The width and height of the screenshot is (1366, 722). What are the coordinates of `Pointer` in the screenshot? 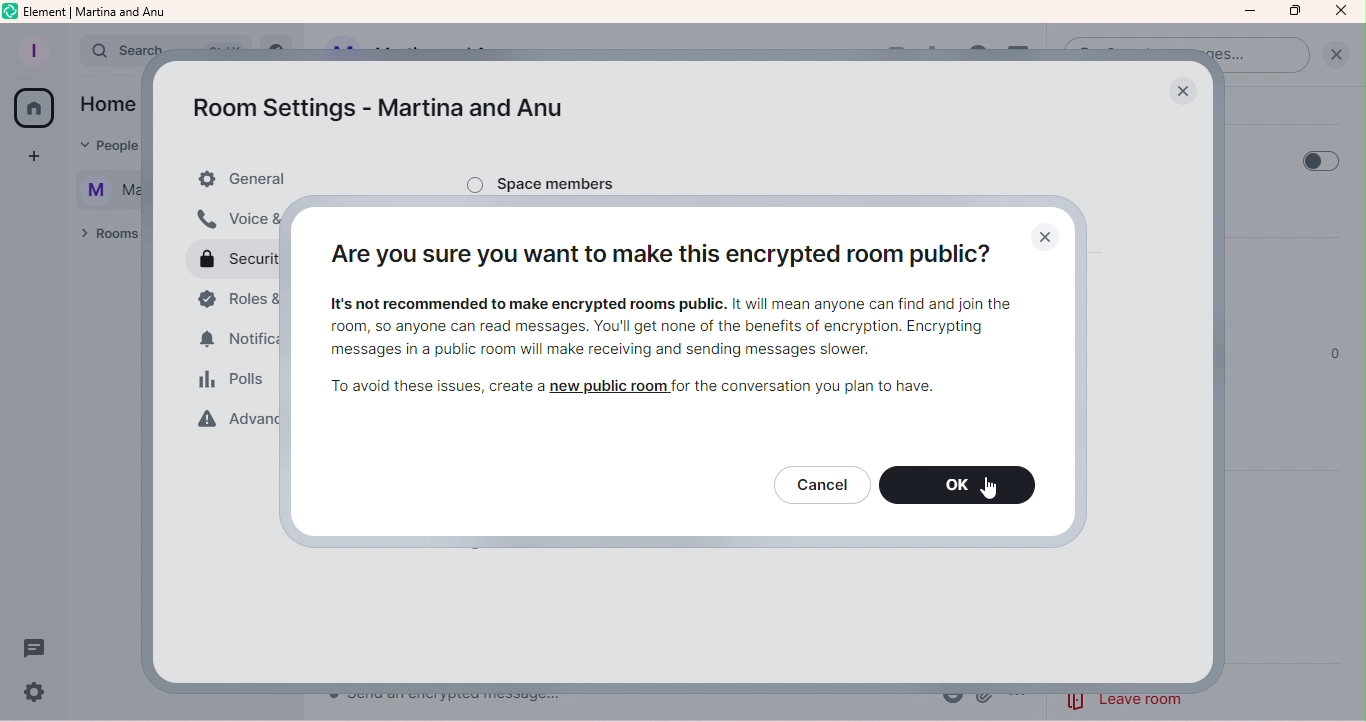 It's located at (989, 493).